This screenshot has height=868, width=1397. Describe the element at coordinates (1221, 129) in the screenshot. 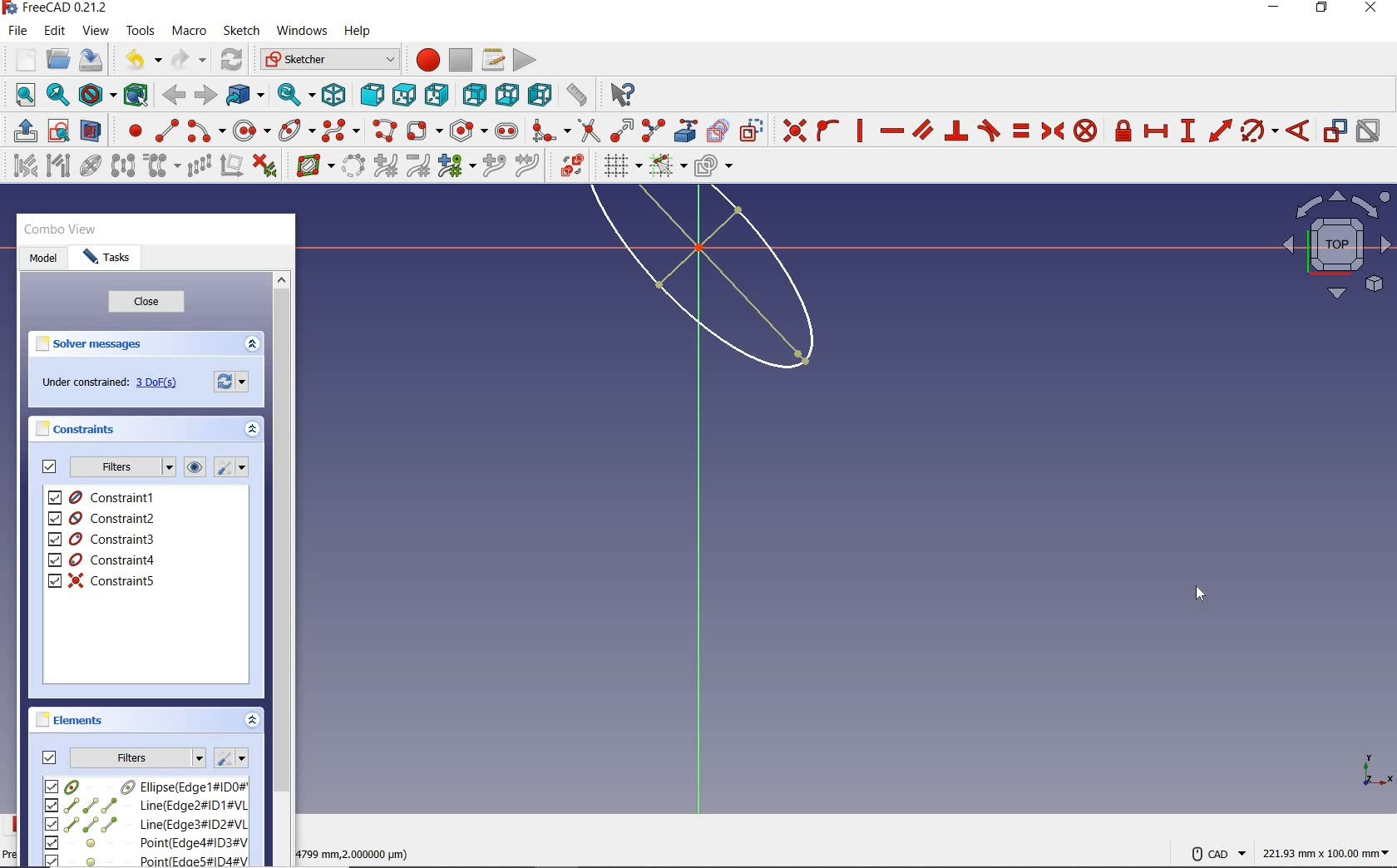

I see `constrain distance` at that location.